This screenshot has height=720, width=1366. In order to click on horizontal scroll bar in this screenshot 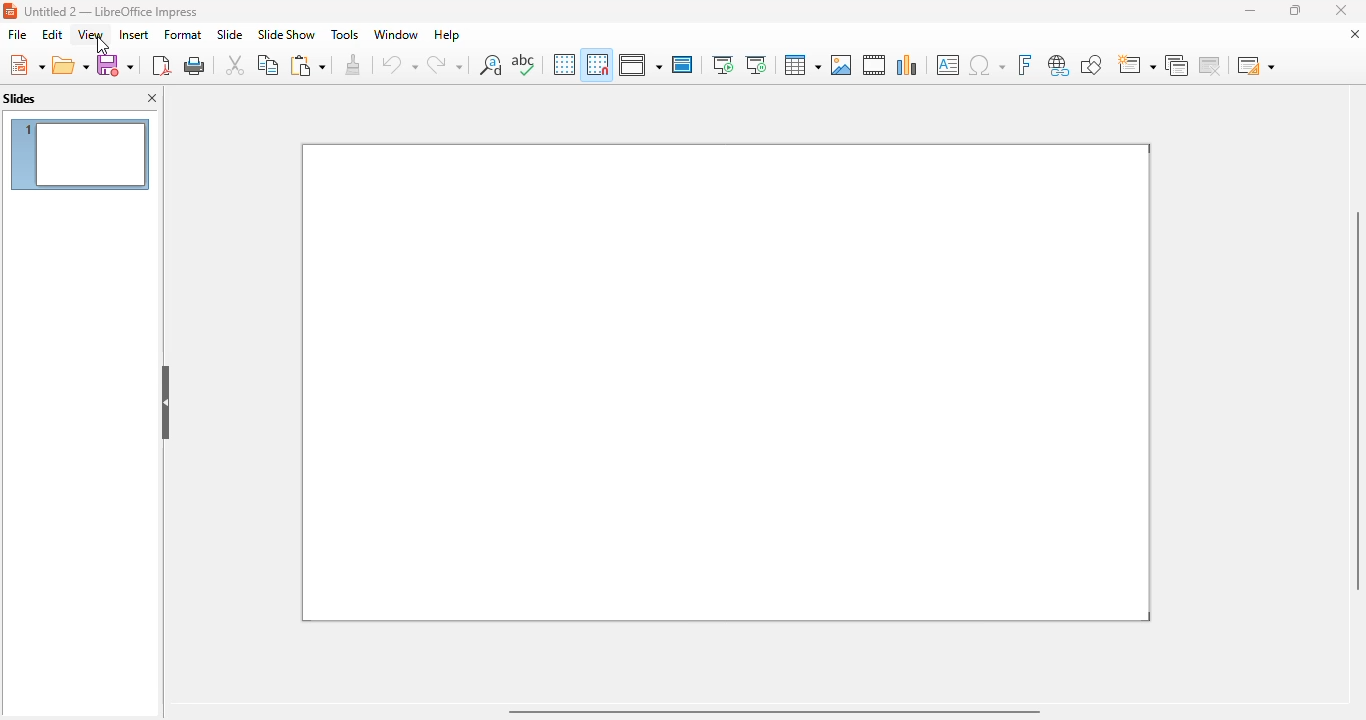, I will do `click(773, 711)`.